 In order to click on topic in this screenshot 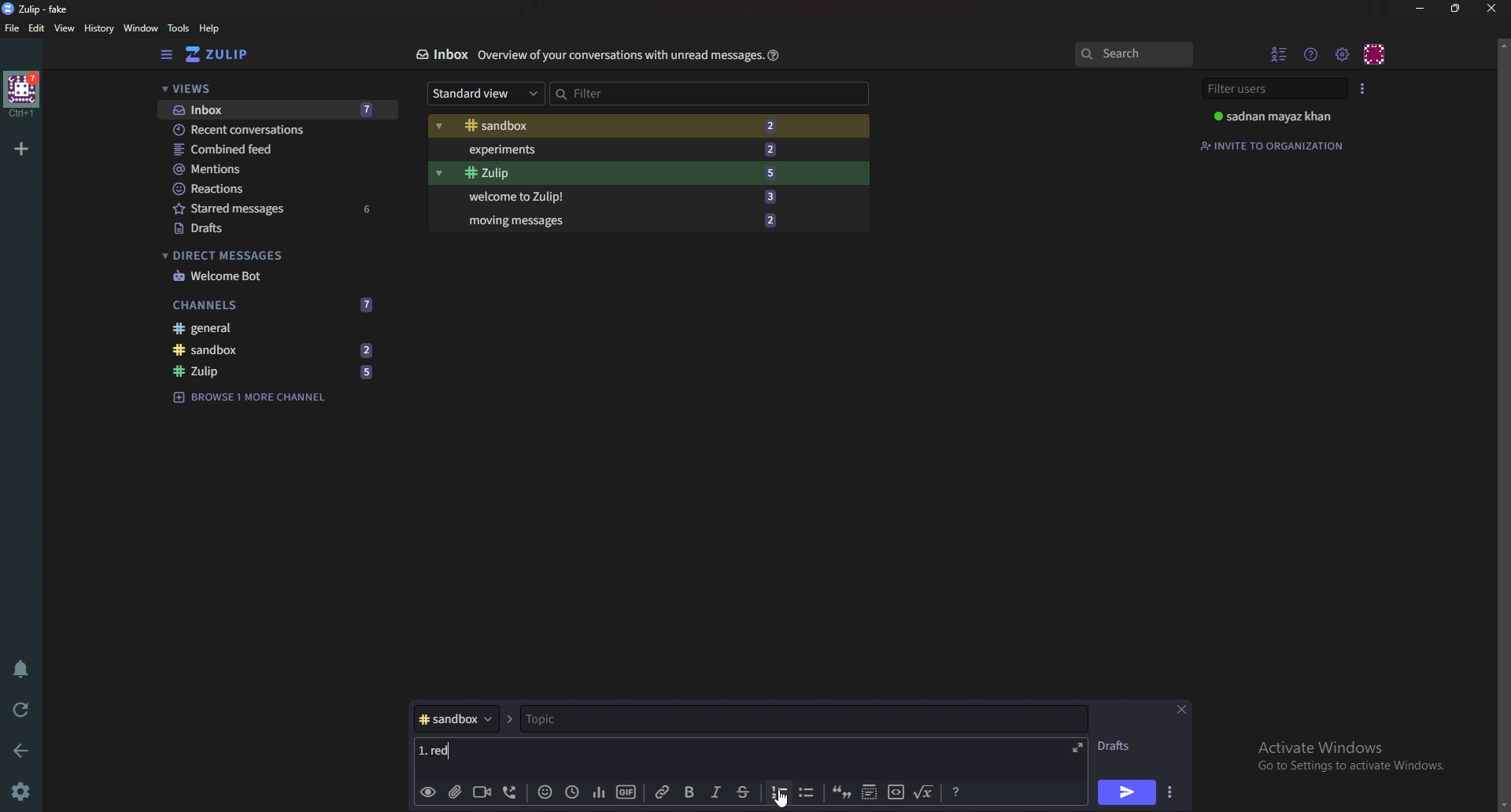, I will do `click(597, 719)`.